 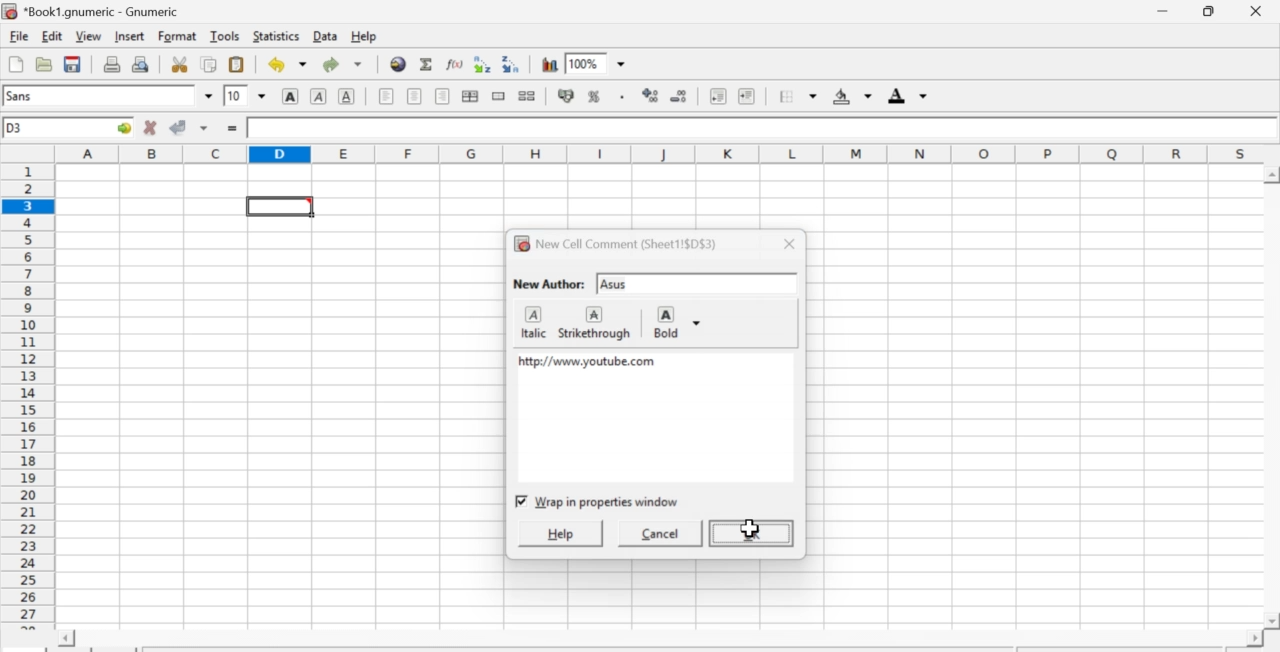 I want to click on Undo, so click(x=285, y=64).